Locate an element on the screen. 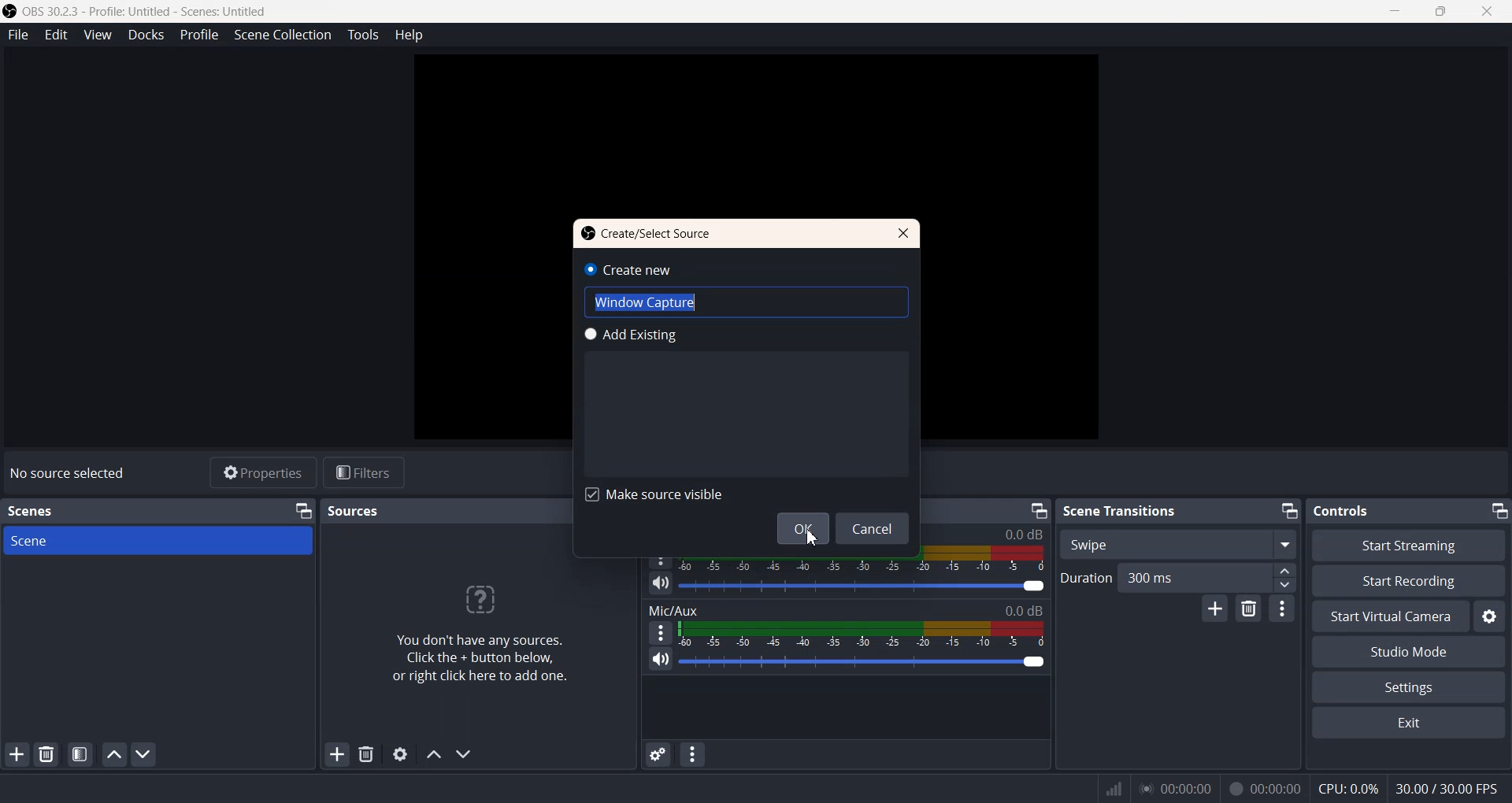 The width and height of the screenshot is (1512, 803). Controls is located at coordinates (1346, 511).